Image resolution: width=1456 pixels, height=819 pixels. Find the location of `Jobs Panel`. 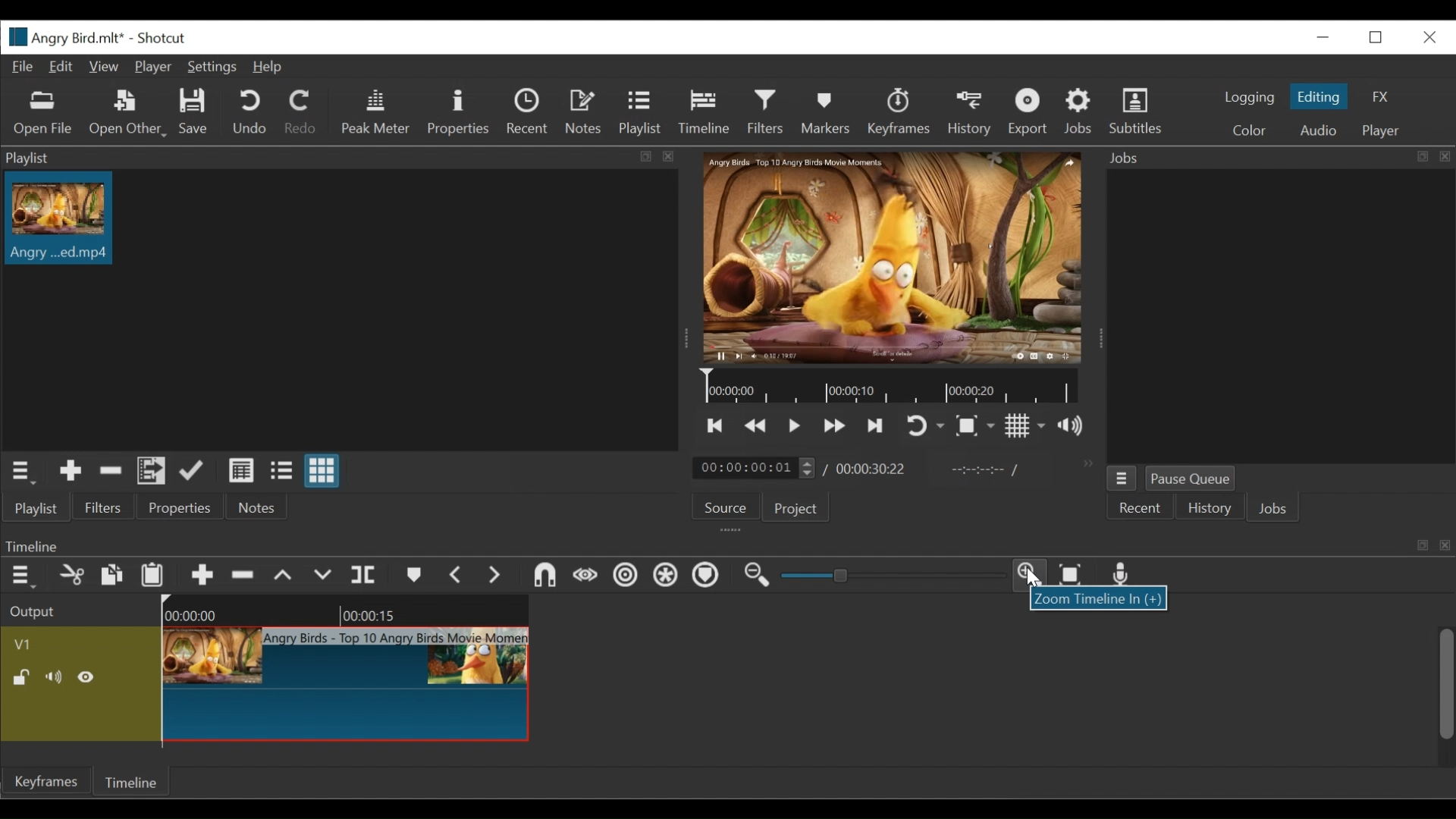

Jobs Panel is located at coordinates (1279, 316).